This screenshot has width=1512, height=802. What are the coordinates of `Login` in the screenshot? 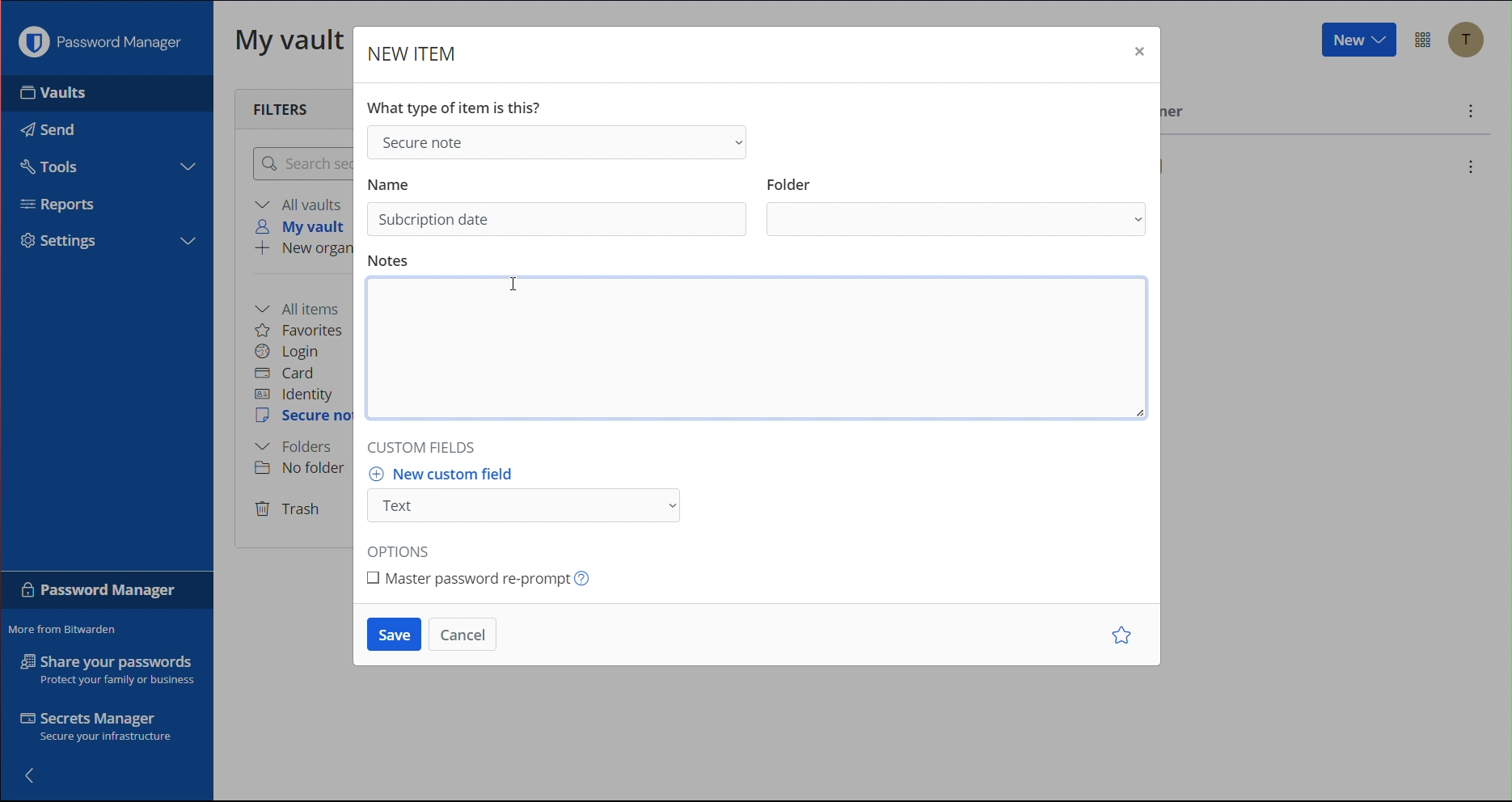 It's located at (288, 352).